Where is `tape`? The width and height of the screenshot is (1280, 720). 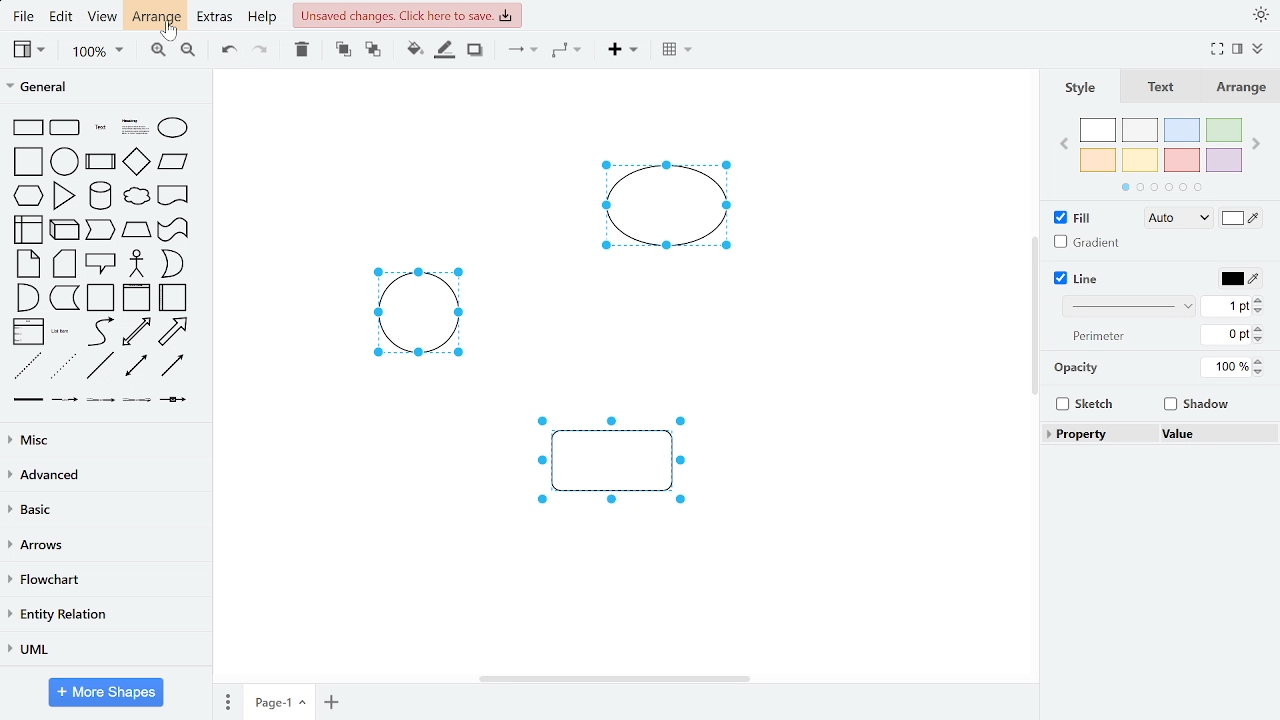 tape is located at coordinates (174, 230).